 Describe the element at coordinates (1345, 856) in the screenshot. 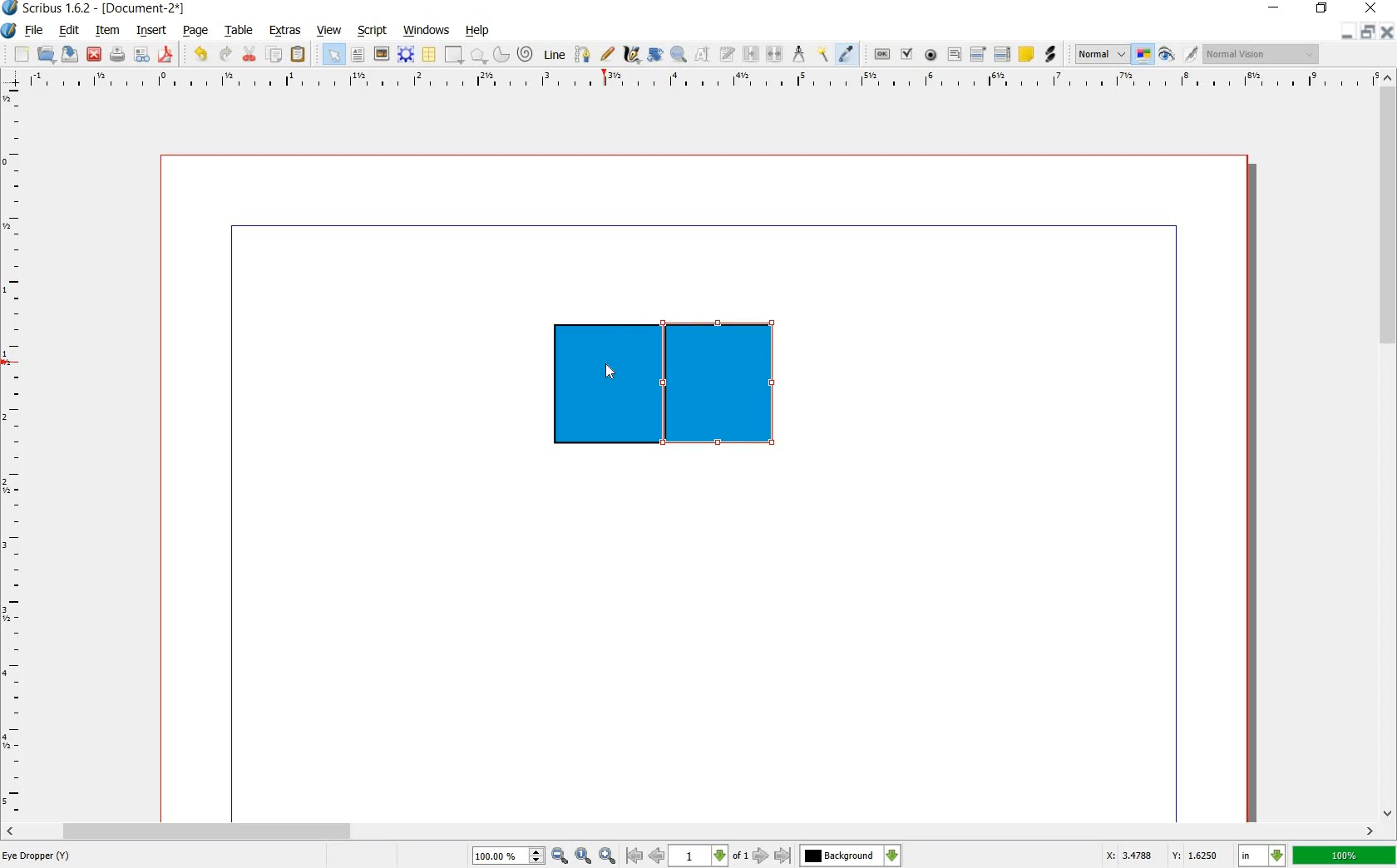

I see `100%` at that location.